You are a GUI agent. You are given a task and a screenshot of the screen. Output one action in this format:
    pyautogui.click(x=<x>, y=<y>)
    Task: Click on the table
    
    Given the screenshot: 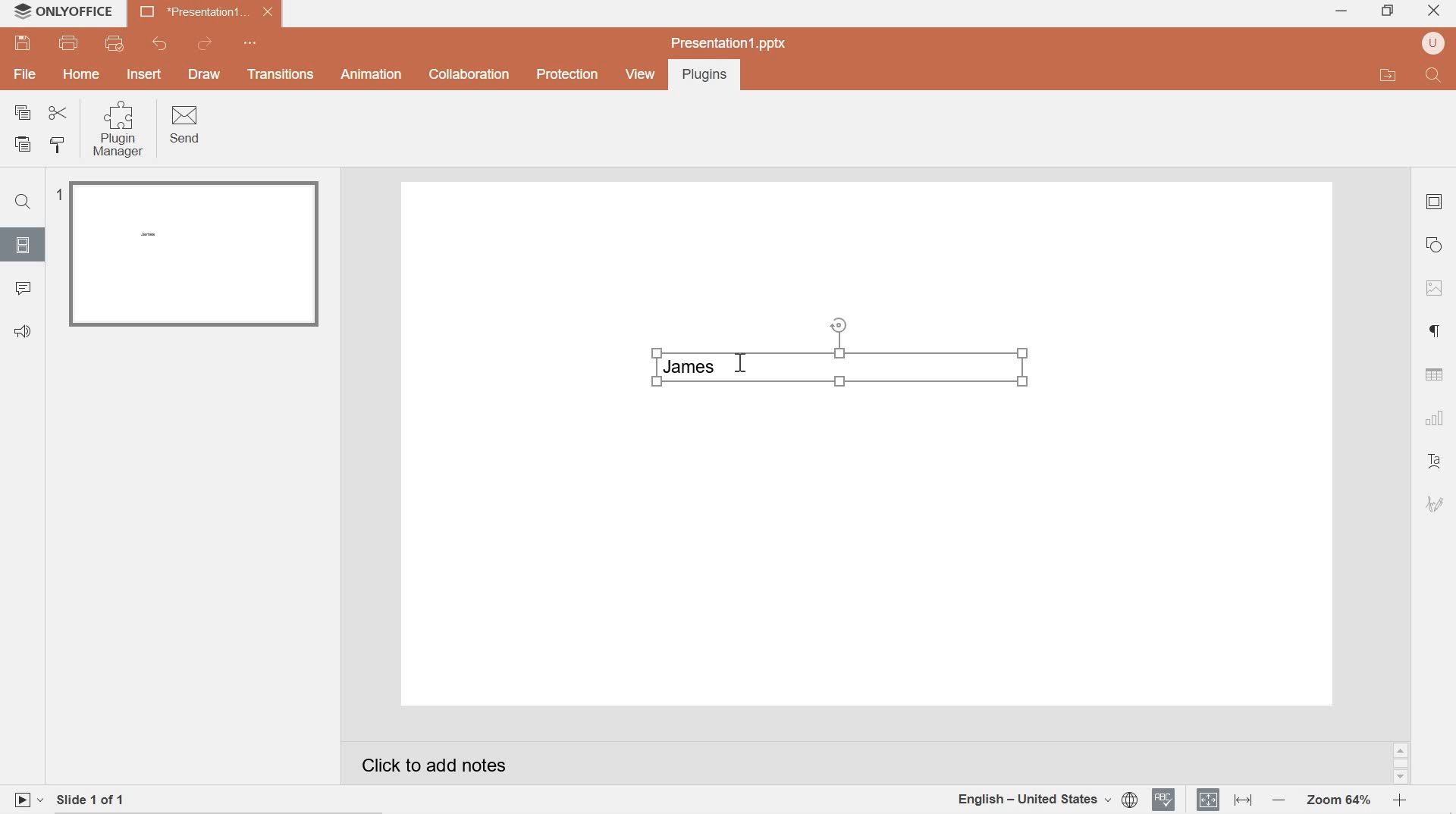 What is the action you would take?
    pyautogui.click(x=1435, y=374)
    